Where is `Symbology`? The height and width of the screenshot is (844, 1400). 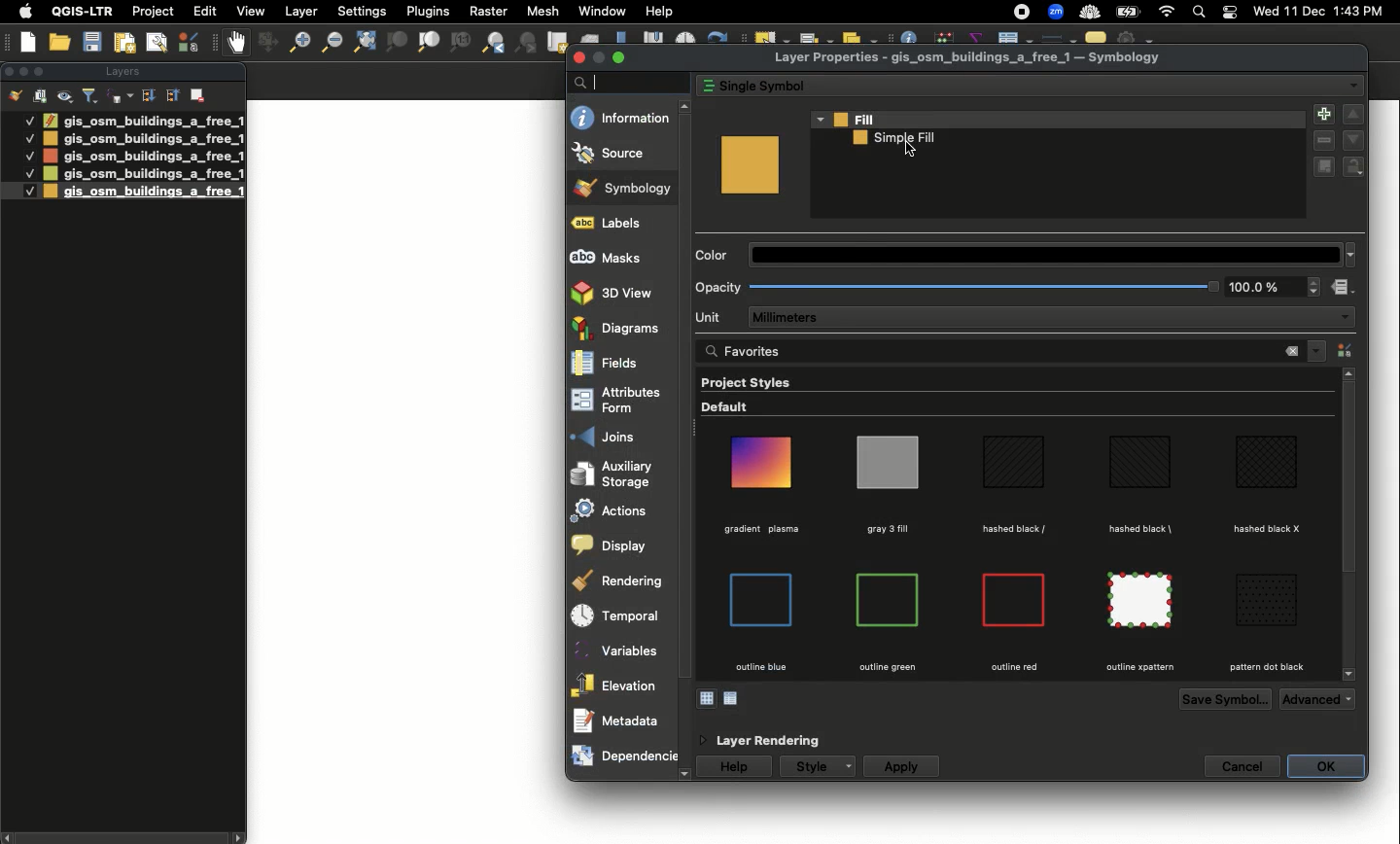
Symbology is located at coordinates (624, 188).